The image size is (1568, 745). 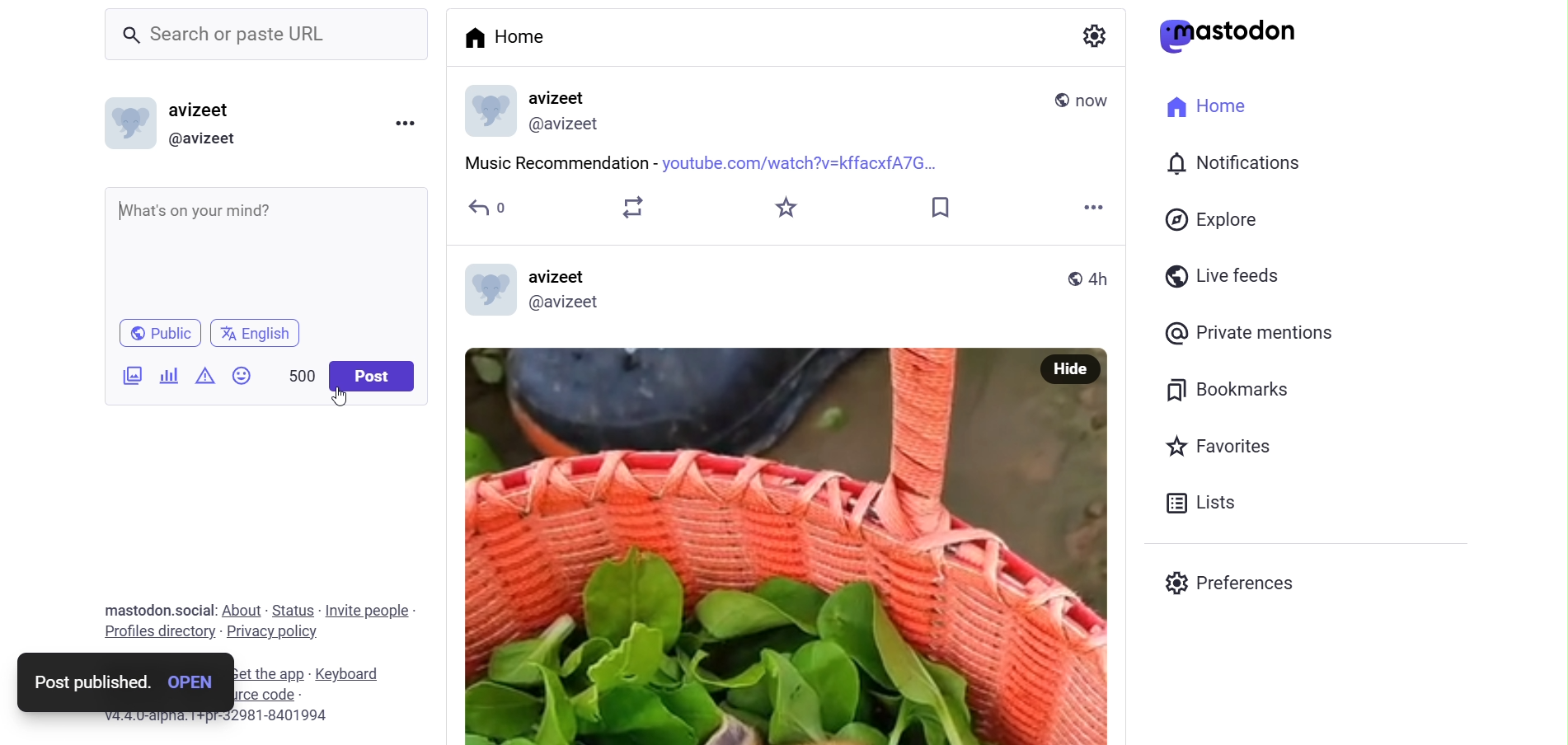 What do you see at coordinates (1099, 40) in the screenshot?
I see `setting` at bounding box center [1099, 40].